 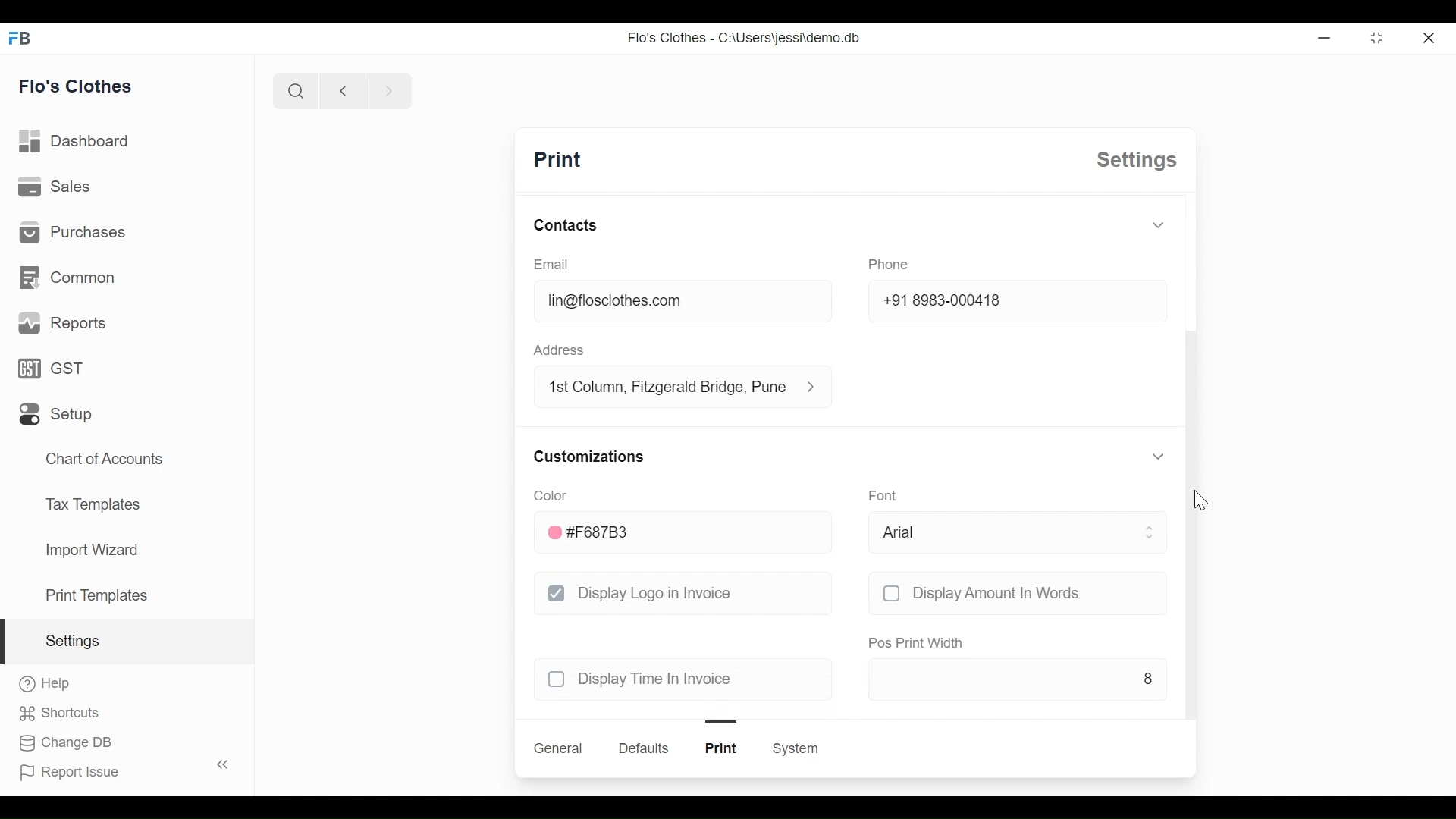 What do you see at coordinates (67, 278) in the screenshot?
I see `common` at bounding box center [67, 278].